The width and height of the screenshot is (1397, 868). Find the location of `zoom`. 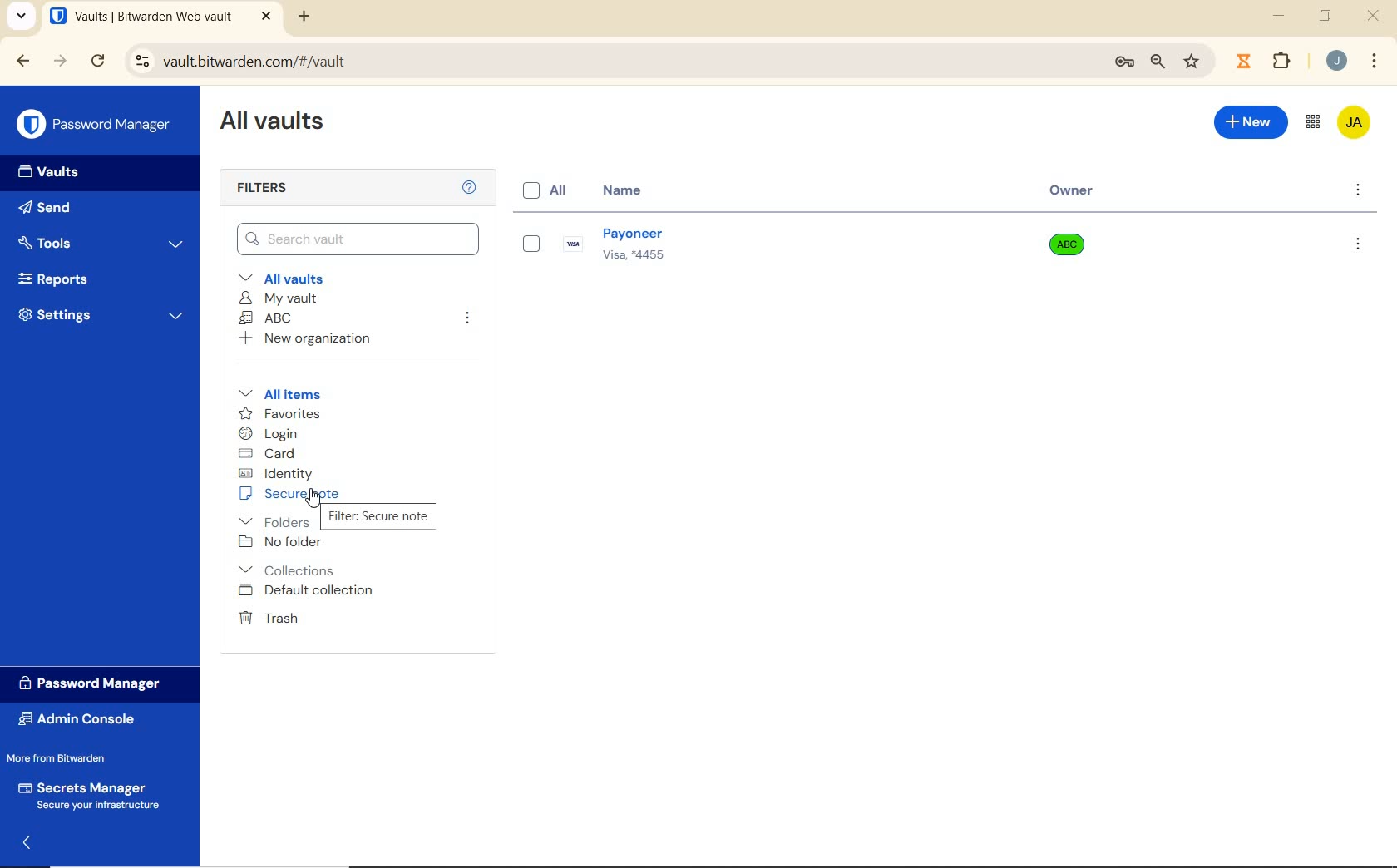

zoom is located at coordinates (1158, 63).